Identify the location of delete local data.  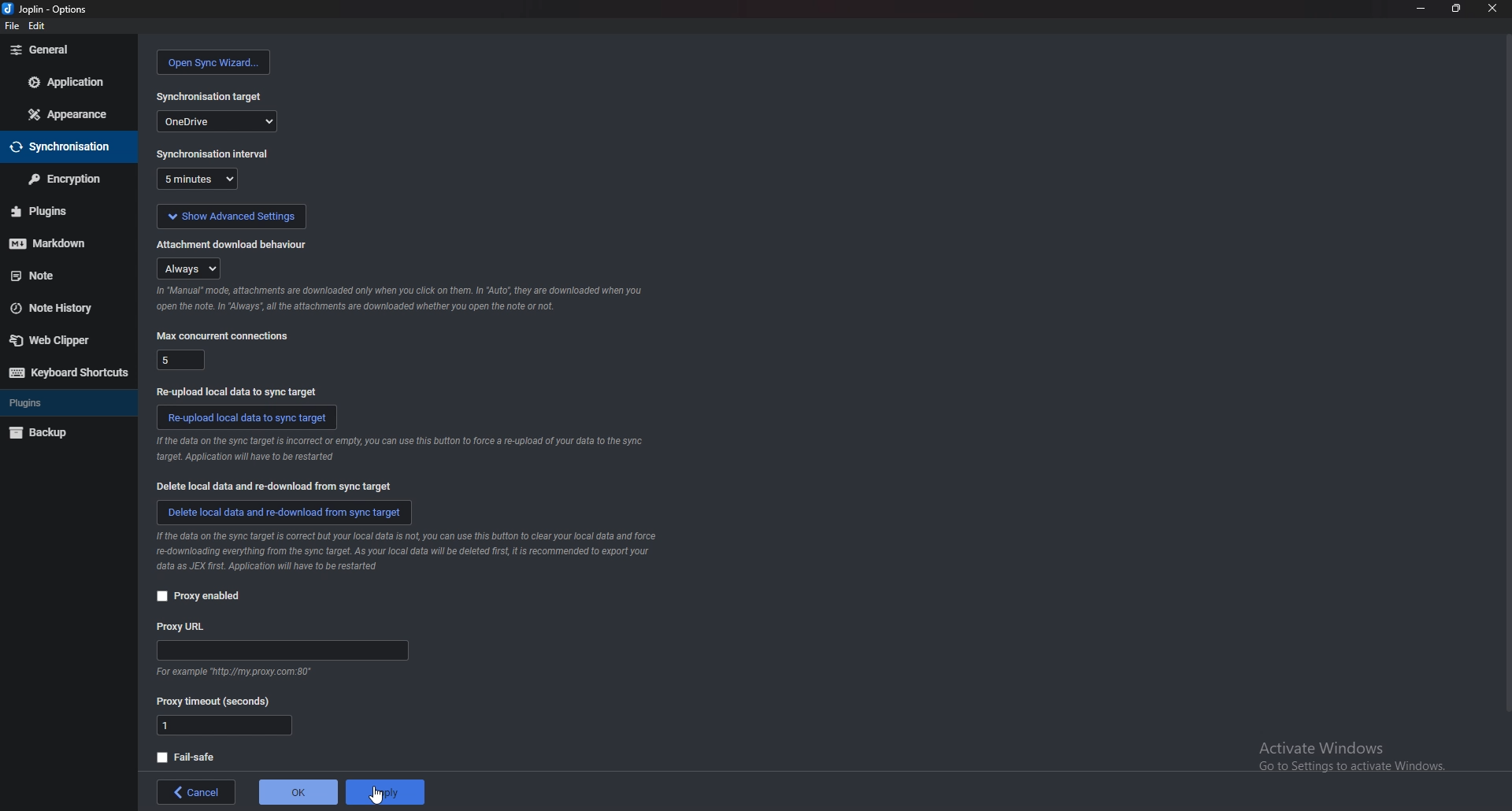
(279, 487).